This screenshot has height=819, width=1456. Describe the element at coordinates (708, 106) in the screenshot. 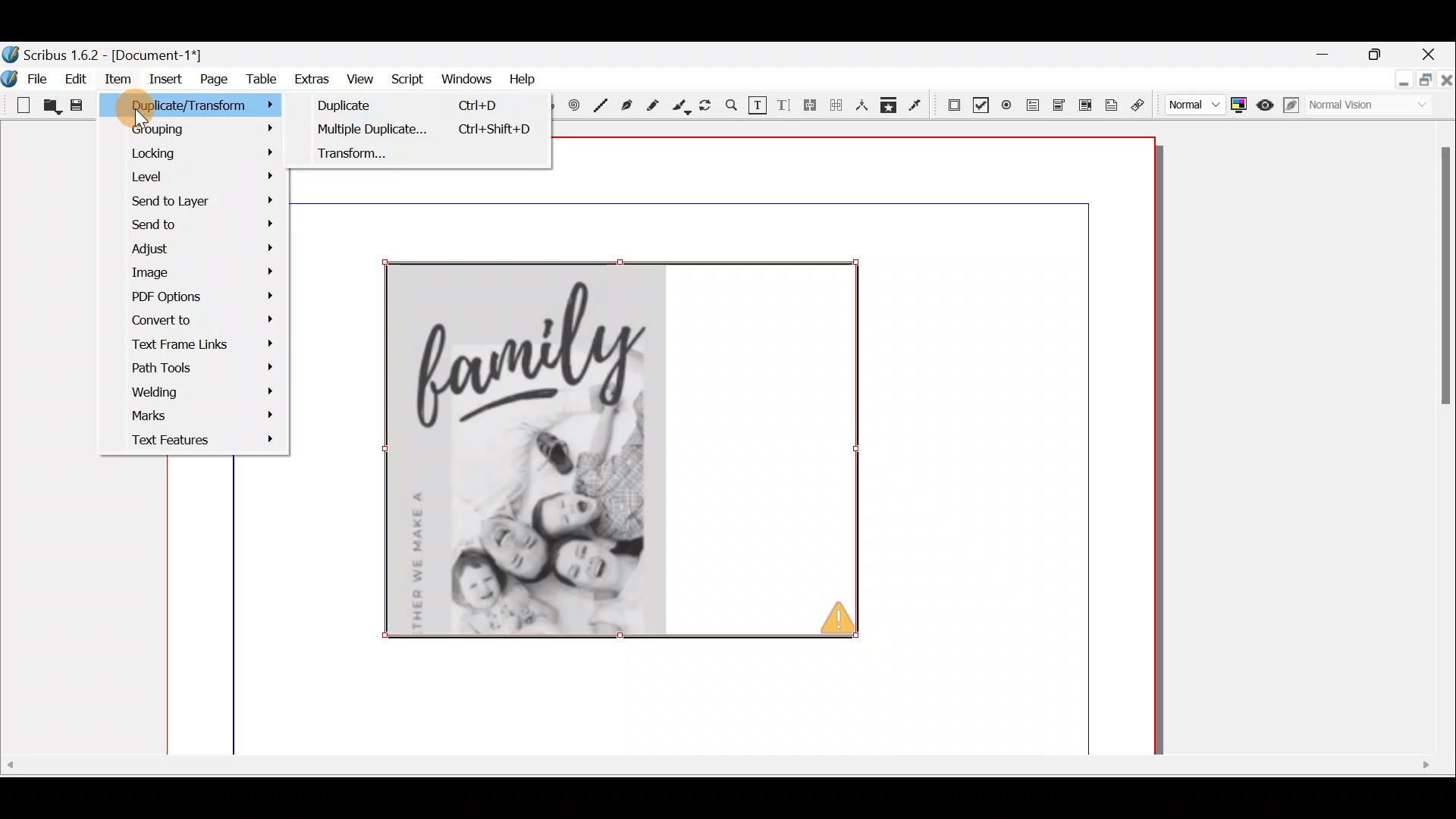

I see `Rotate item` at that location.